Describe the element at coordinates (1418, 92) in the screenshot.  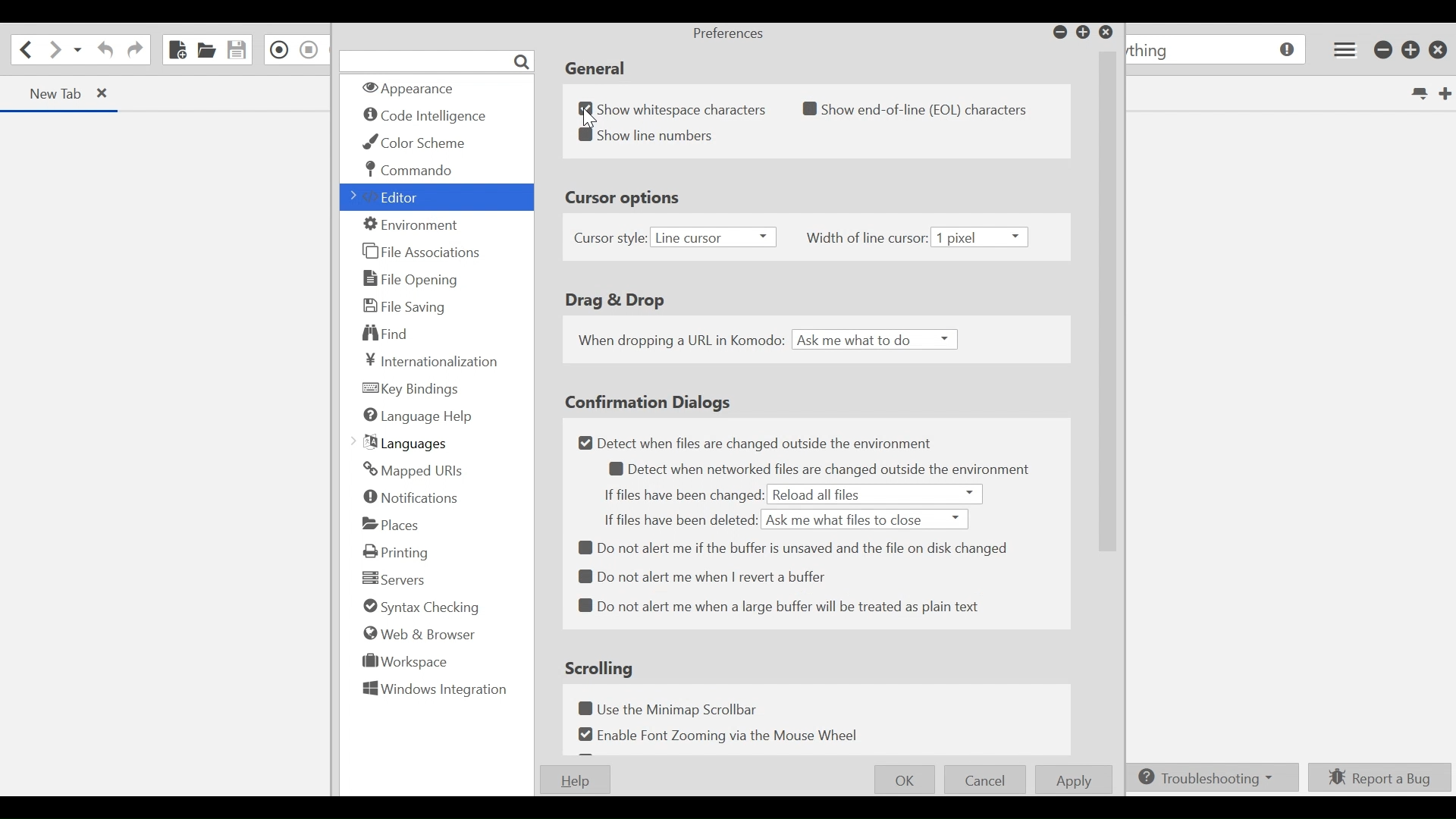
I see `List all tabs` at that location.